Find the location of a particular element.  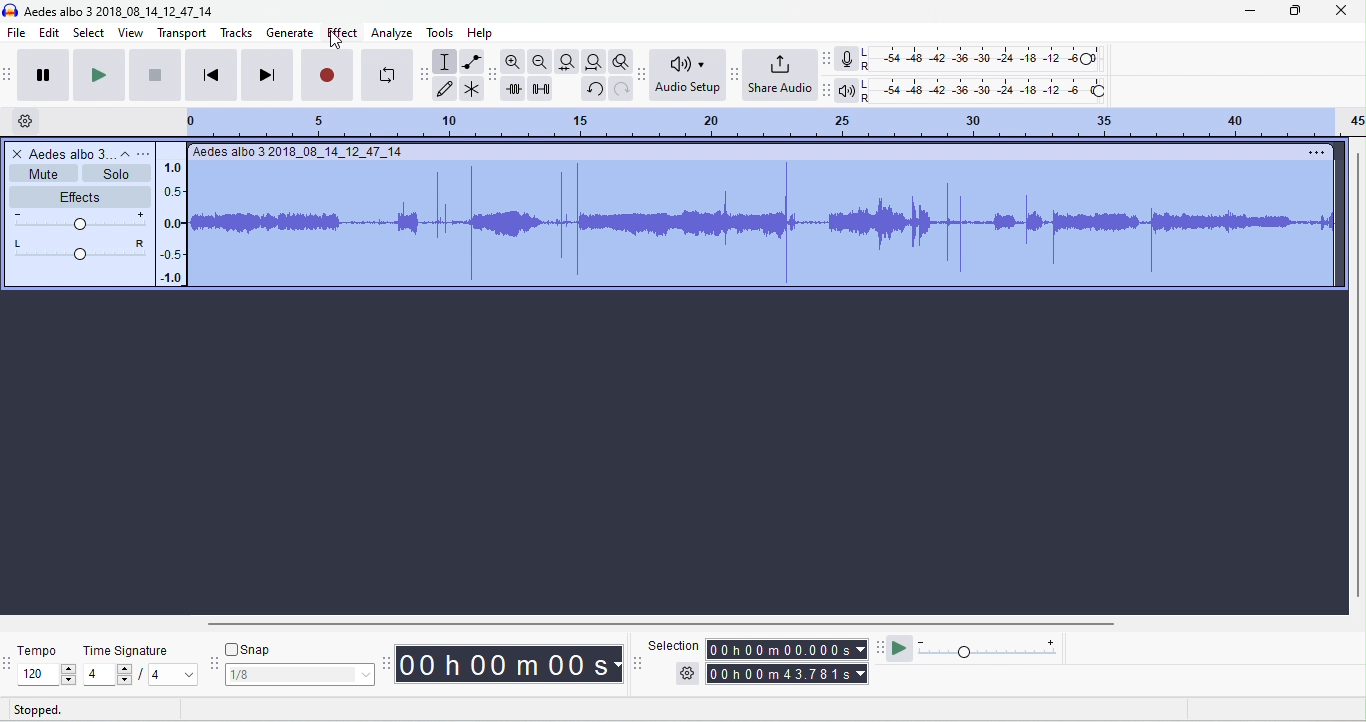

stop is located at coordinates (155, 74).